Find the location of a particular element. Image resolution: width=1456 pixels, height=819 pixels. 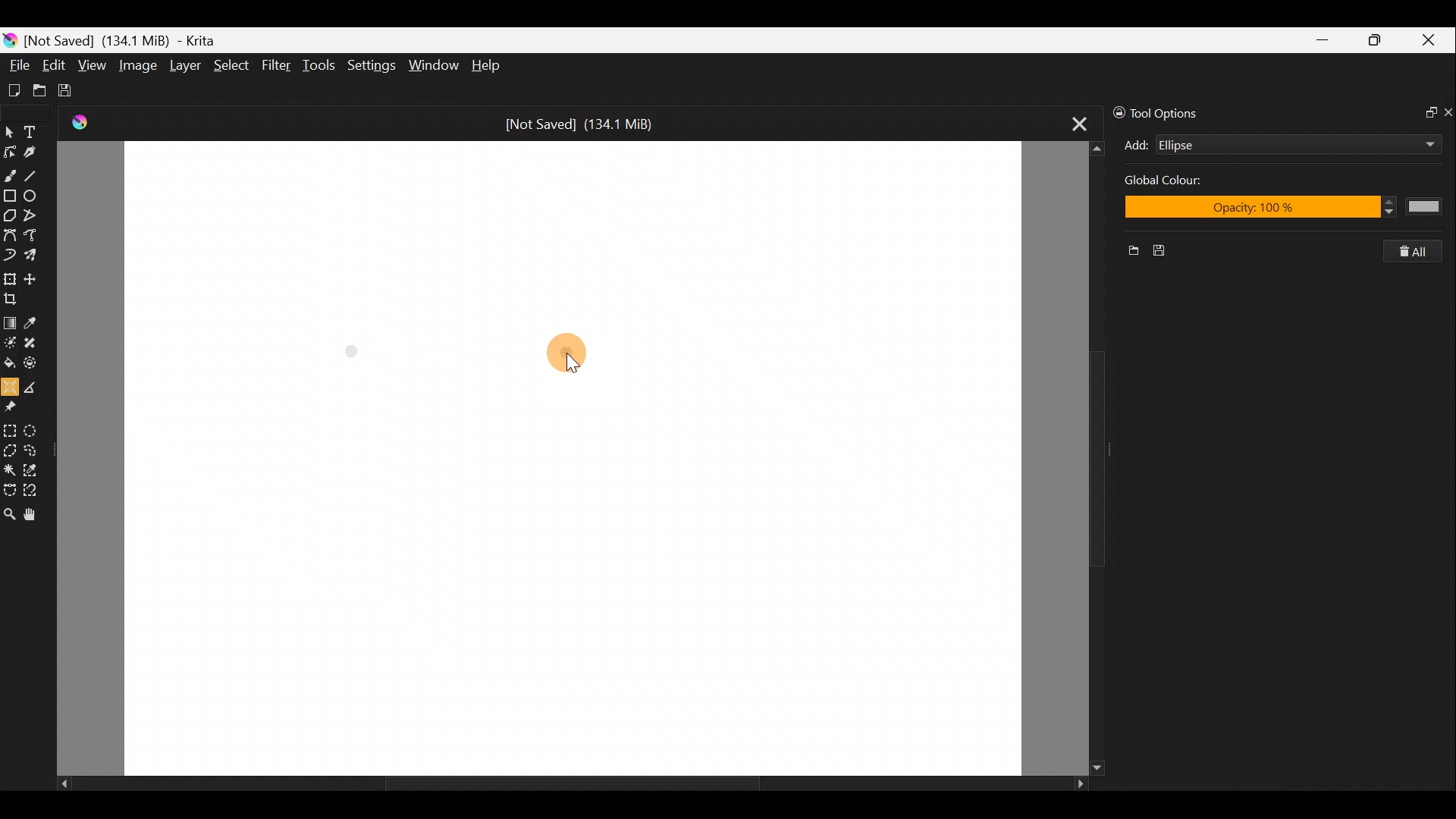

Colorize mask tool is located at coordinates (10, 343).